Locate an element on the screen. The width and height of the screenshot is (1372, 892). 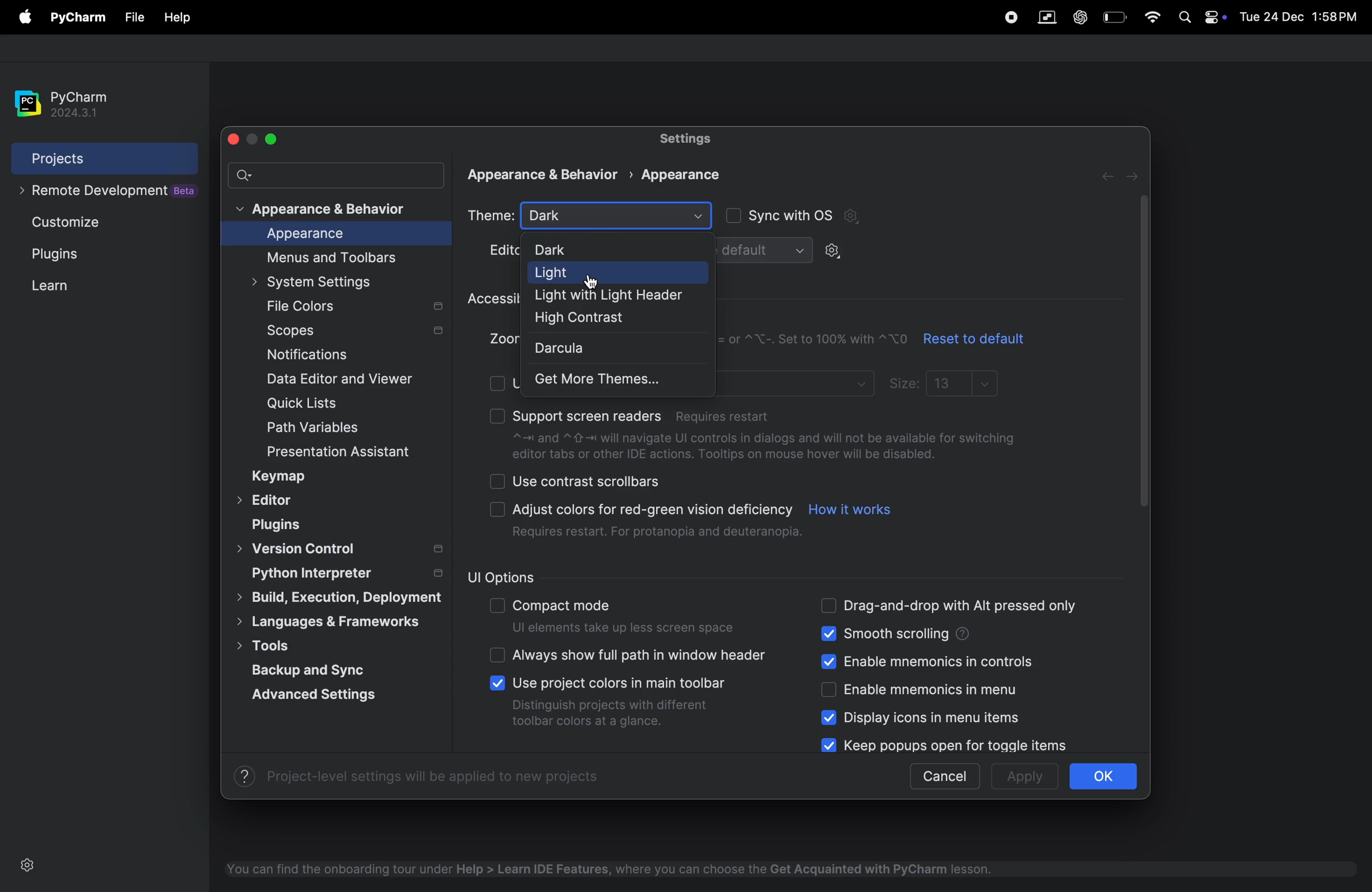
close is located at coordinates (237, 139).